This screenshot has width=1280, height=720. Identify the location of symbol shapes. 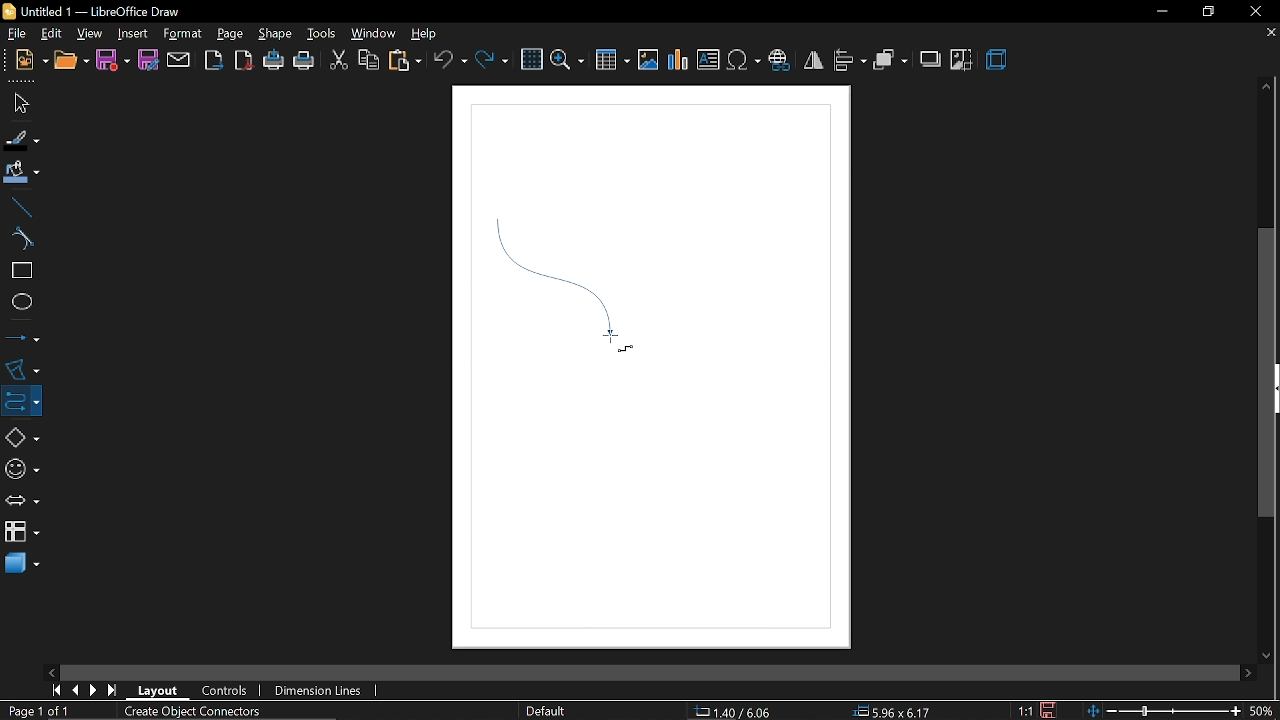
(20, 466).